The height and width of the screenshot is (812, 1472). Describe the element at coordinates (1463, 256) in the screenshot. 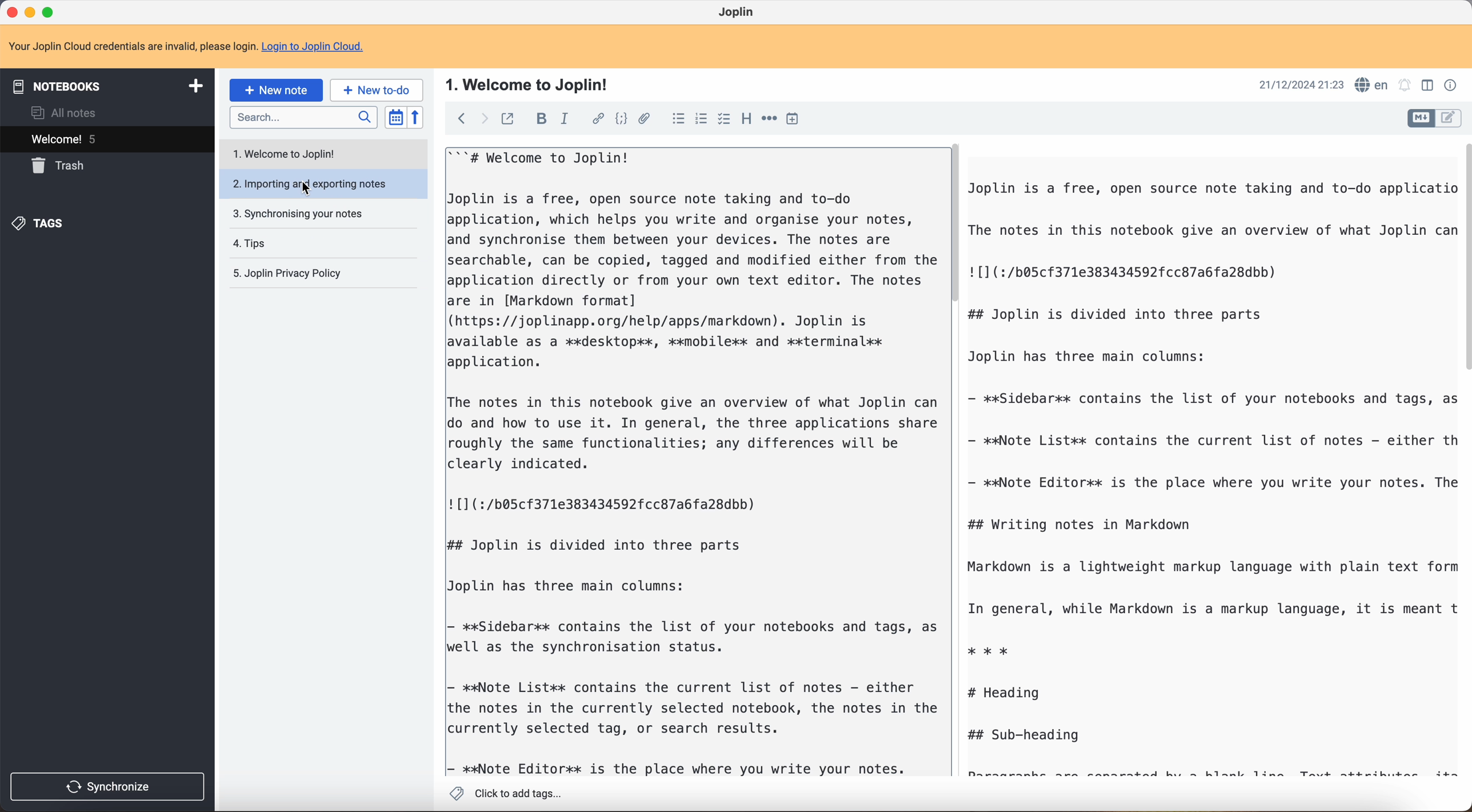

I see `scroll bar` at that location.